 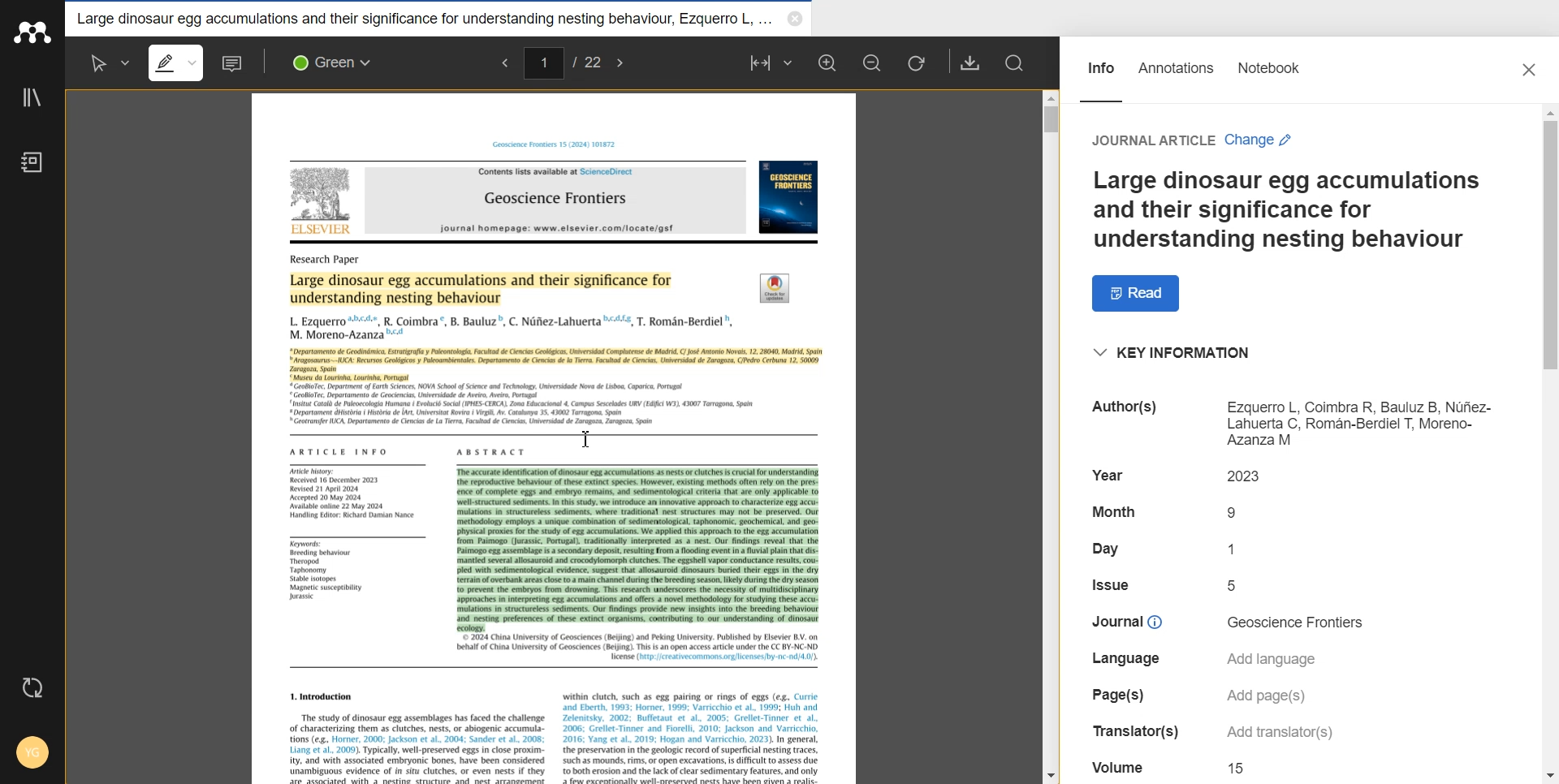 I want to click on text, so click(x=1128, y=411).